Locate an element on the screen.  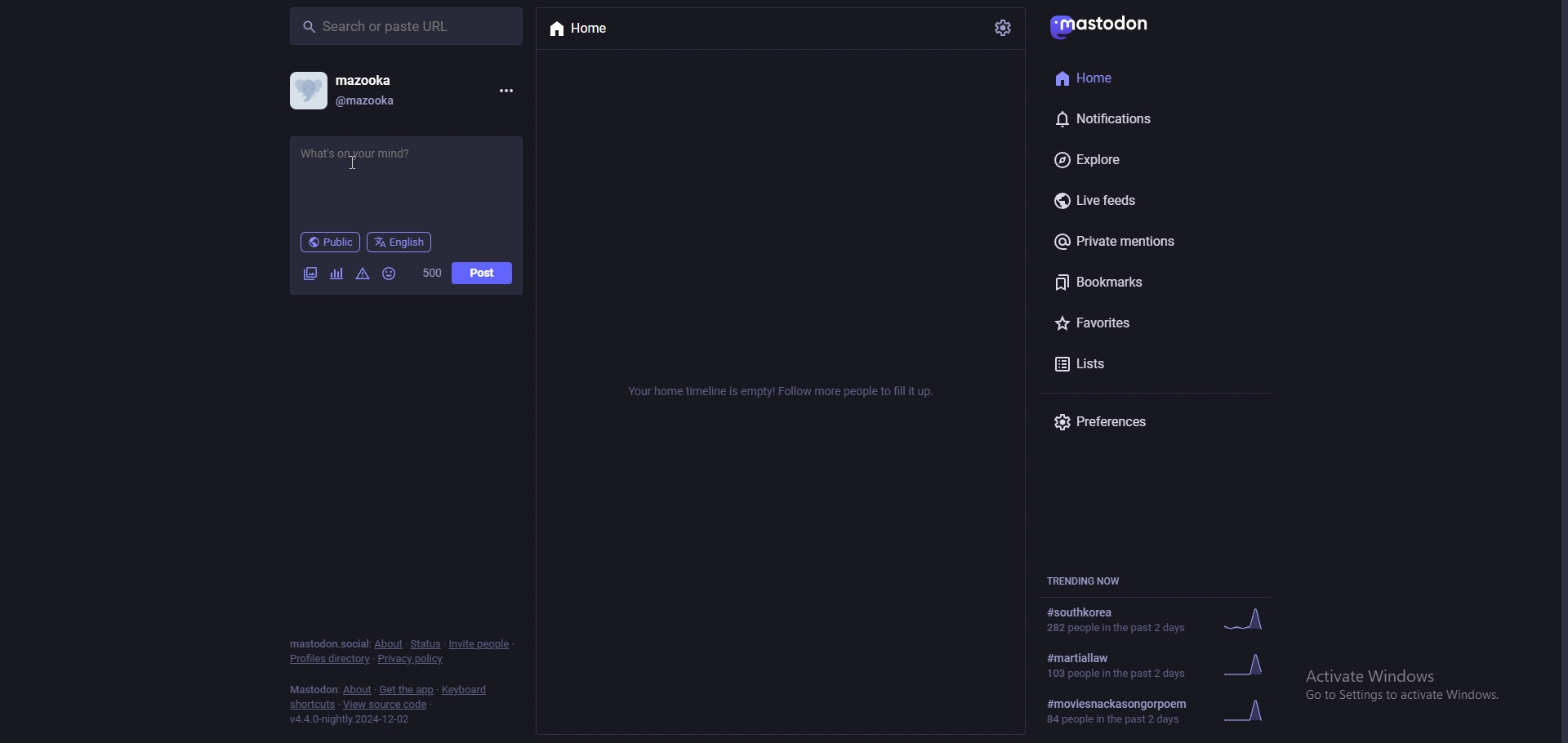
status is located at coordinates (425, 644).